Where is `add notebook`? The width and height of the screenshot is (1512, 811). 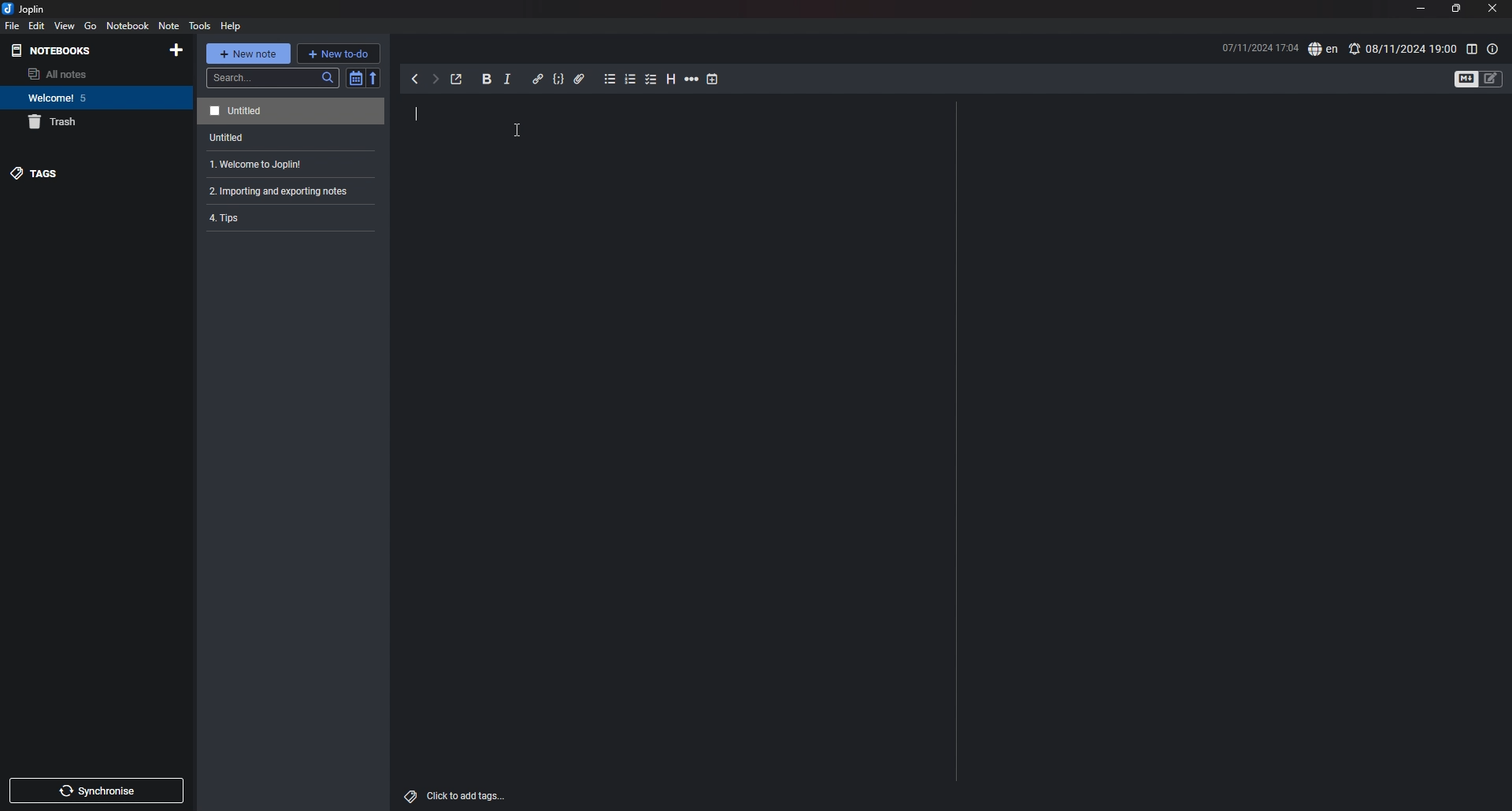
add notebook is located at coordinates (178, 50).